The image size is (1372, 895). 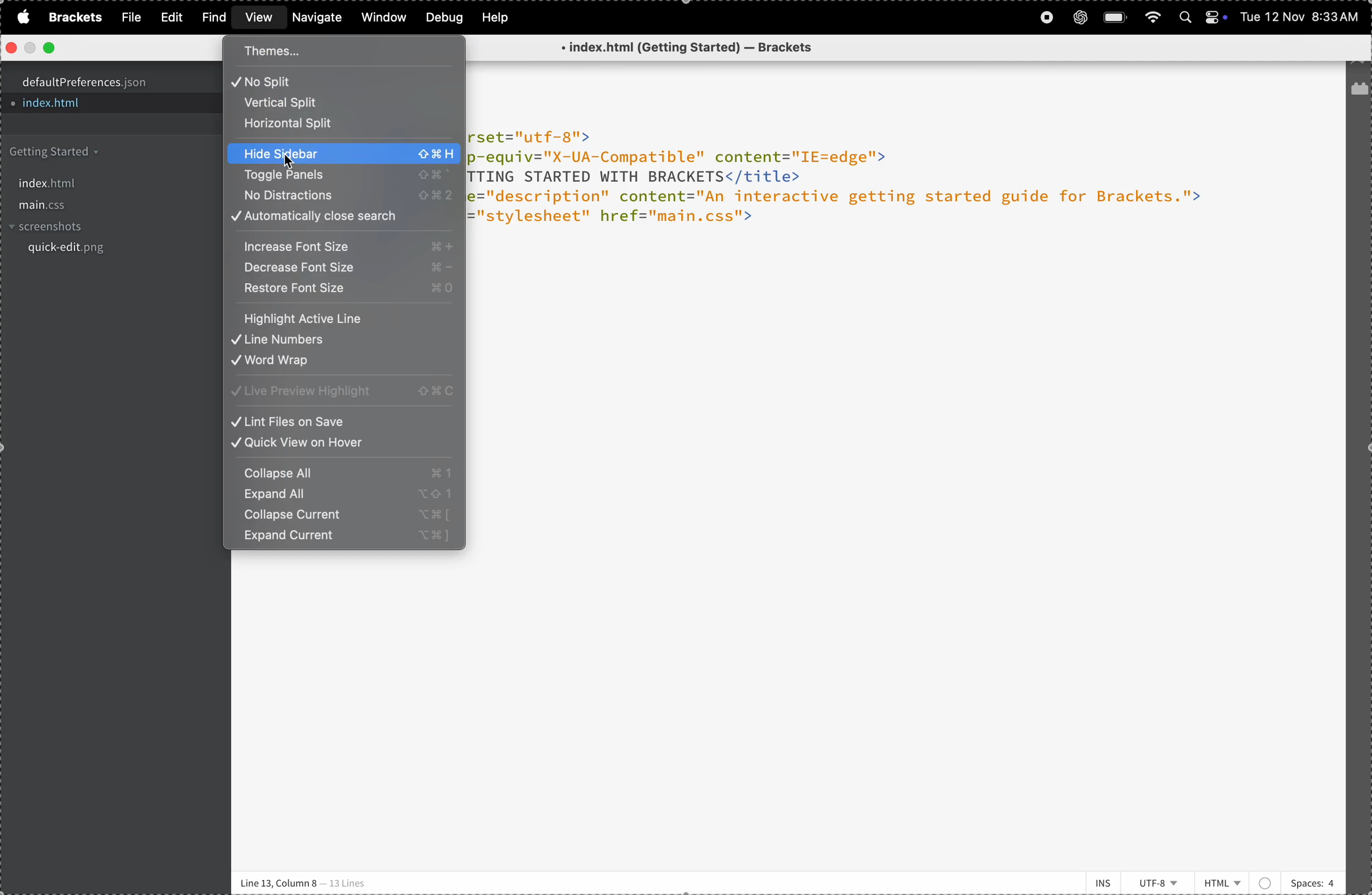 What do you see at coordinates (29, 49) in the screenshot?
I see `Minimize` at bounding box center [29, 49].